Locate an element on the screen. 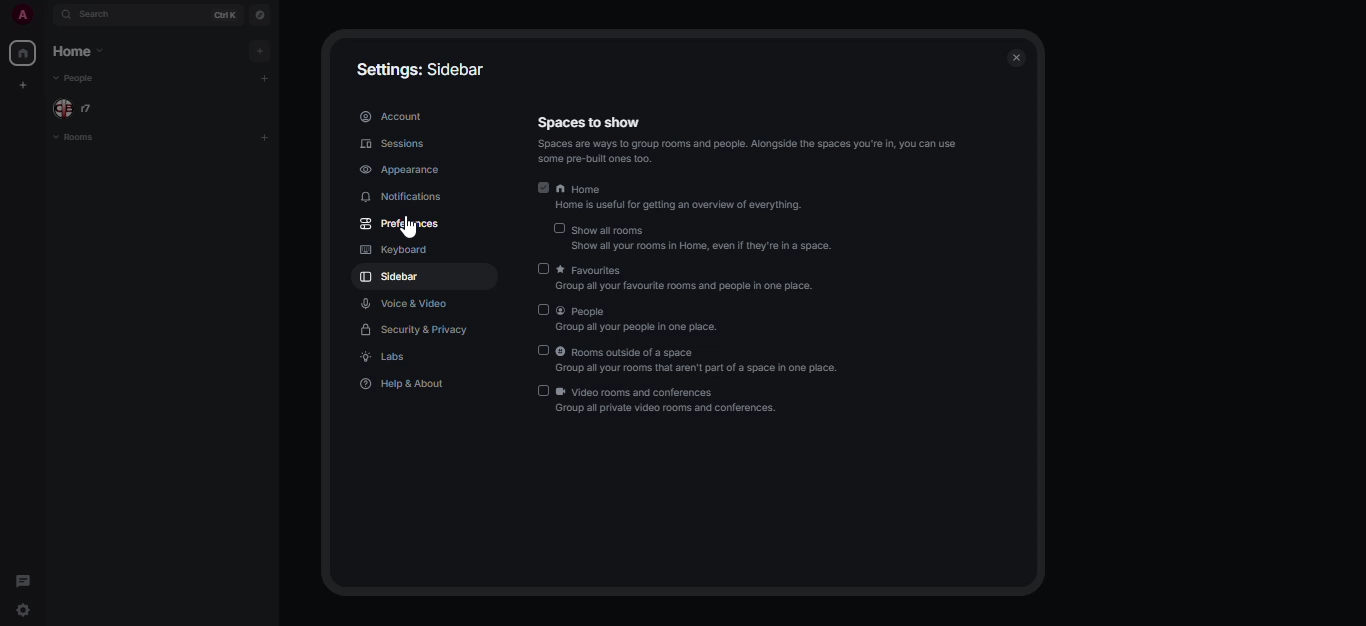  rooms outside of a space group all your rooms that arent't part of a space in one place is located at coordinates (704, 360).